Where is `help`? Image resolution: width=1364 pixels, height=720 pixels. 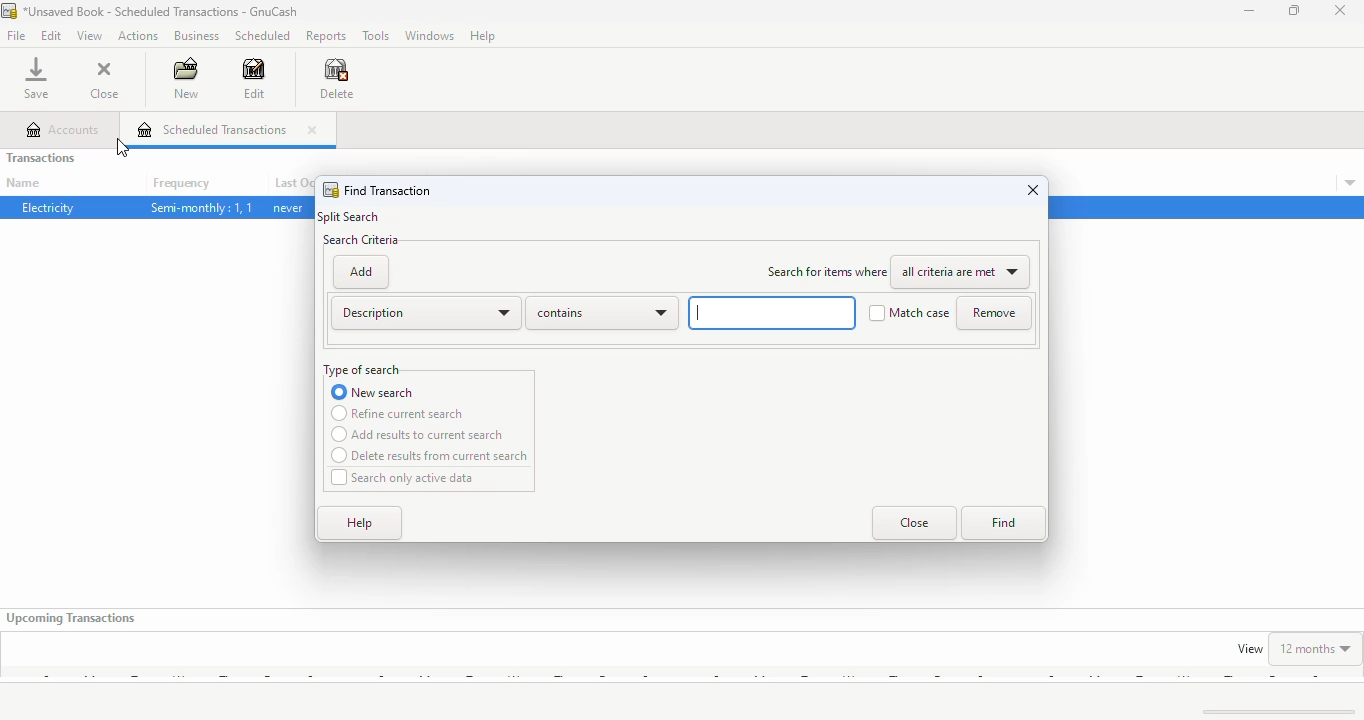
help is located at coordinates (483, 36).